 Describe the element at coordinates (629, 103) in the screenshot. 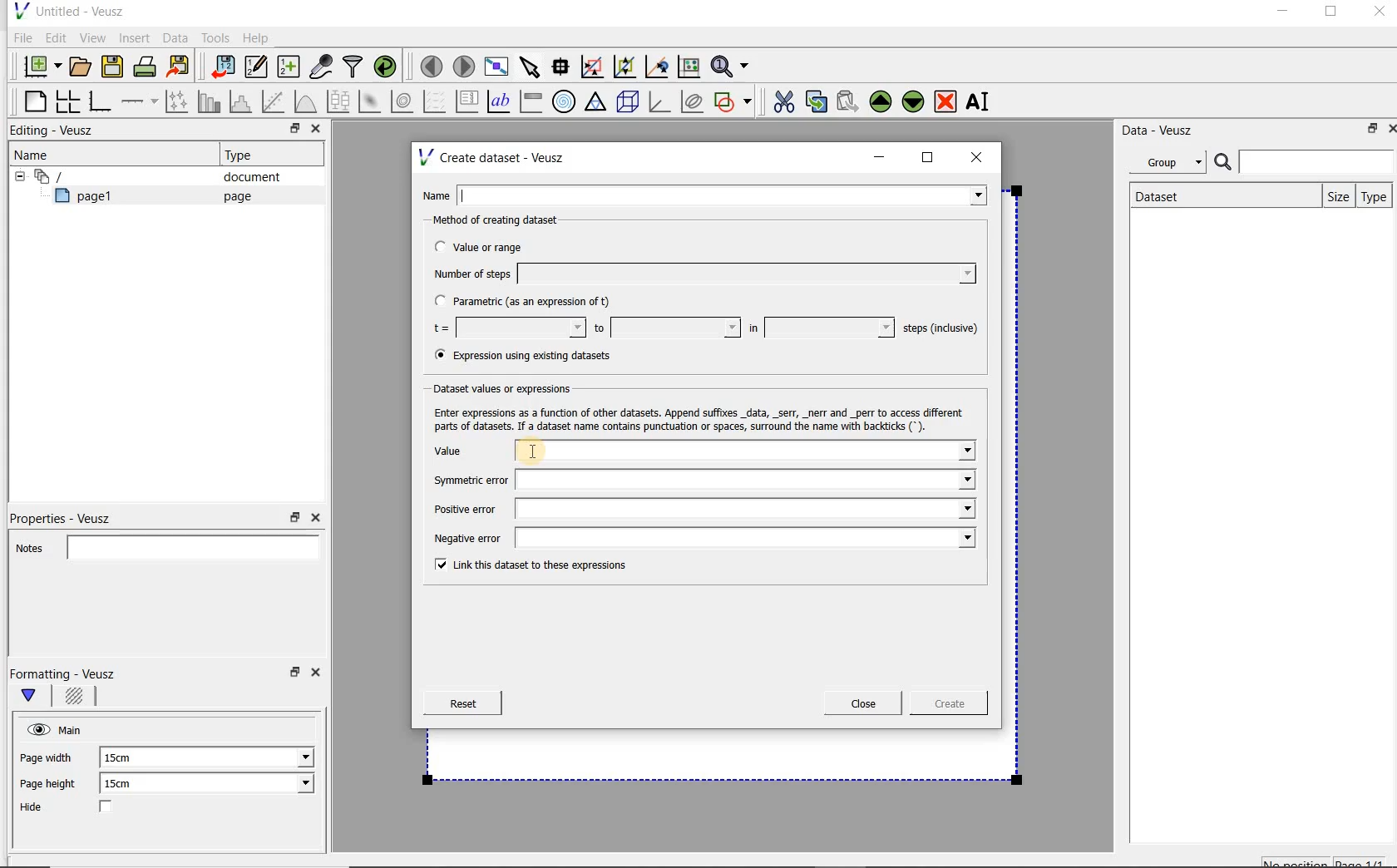

I see `3d scene` at that location.